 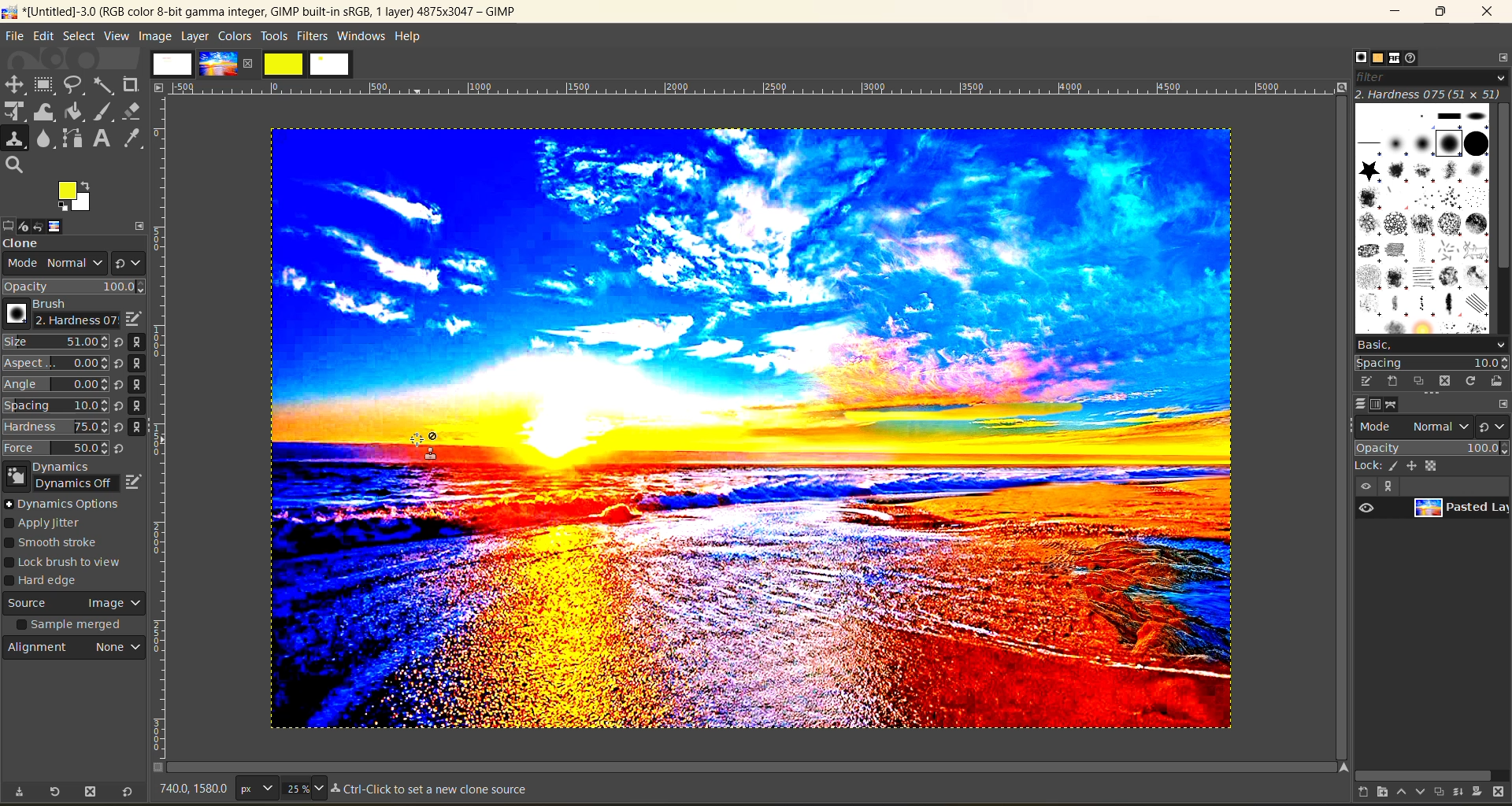 What do you see at coordinates (79, 113) in the screenshot?
I see `paint bucket ` at bounding box center [79, 113].